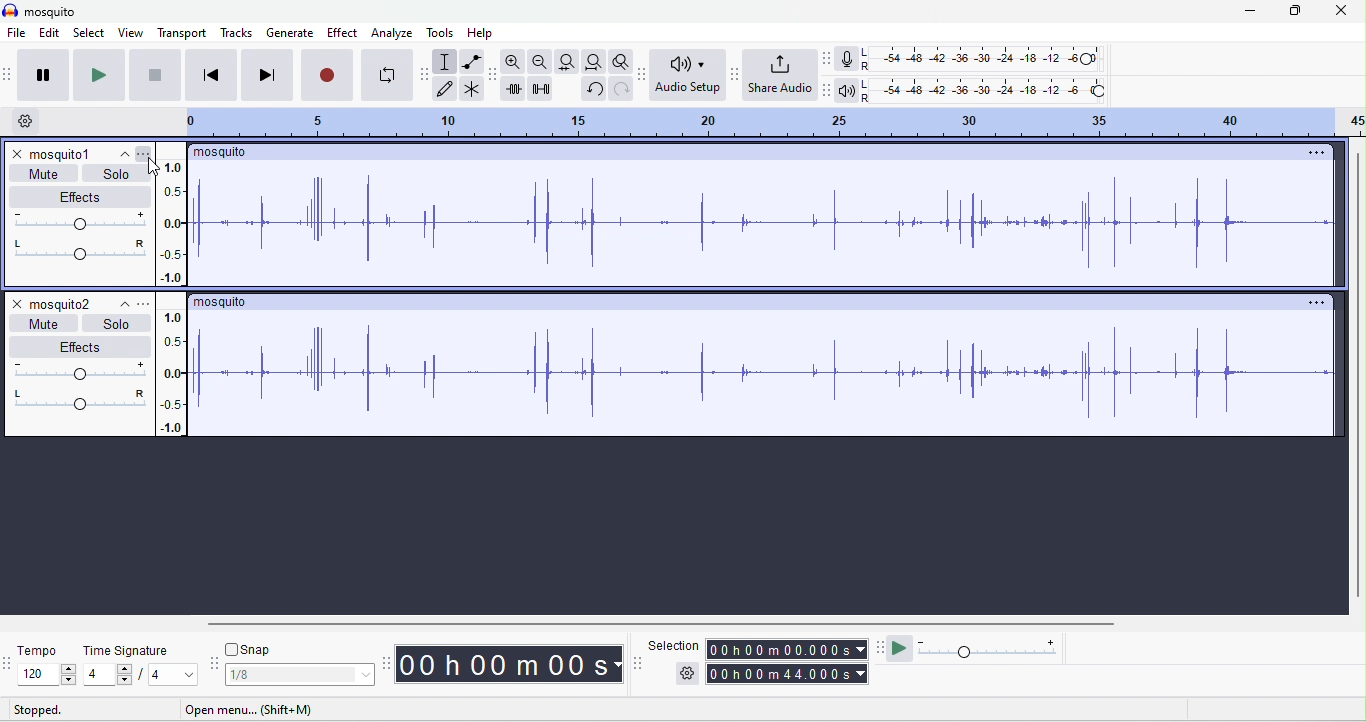  Describe the element at coordinates (980, 58) in the screenshot. I see `recording level` at that location.